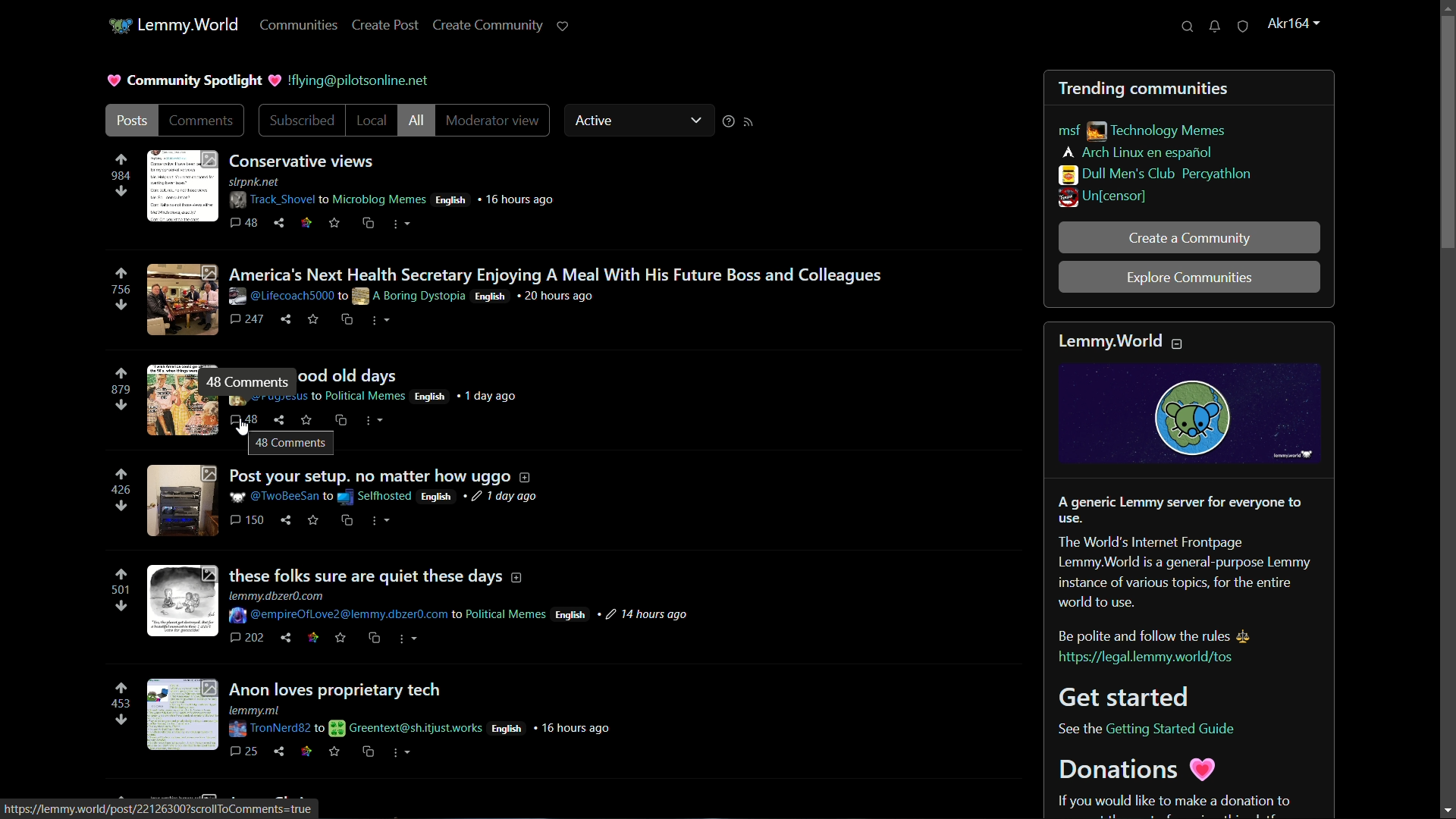 The width and height of the screenshot is (1456, 819). I want to click on active, so click(598, 122).